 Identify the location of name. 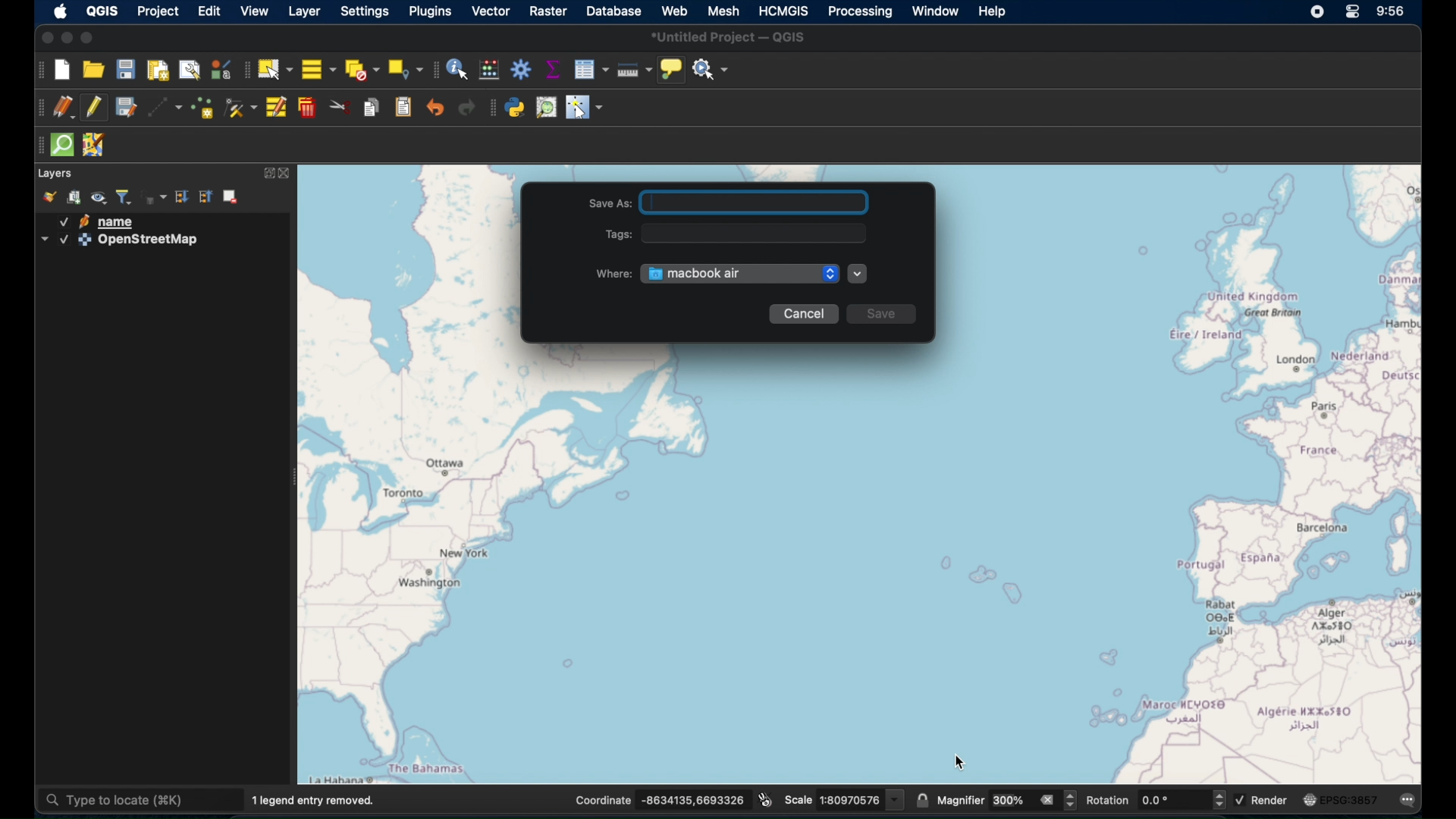
(103, 221).